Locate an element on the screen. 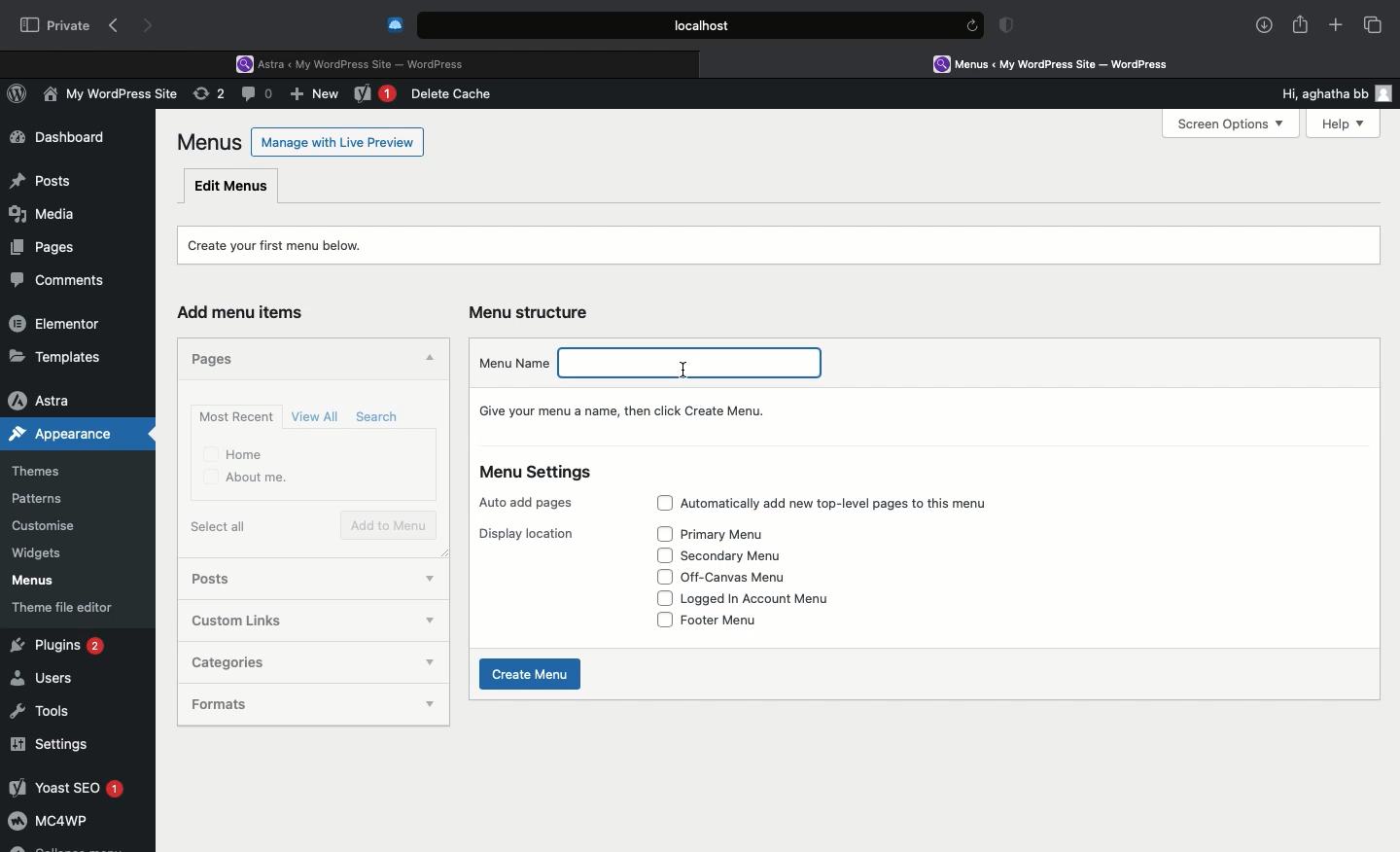  Private is located at coordinates (55, 24).